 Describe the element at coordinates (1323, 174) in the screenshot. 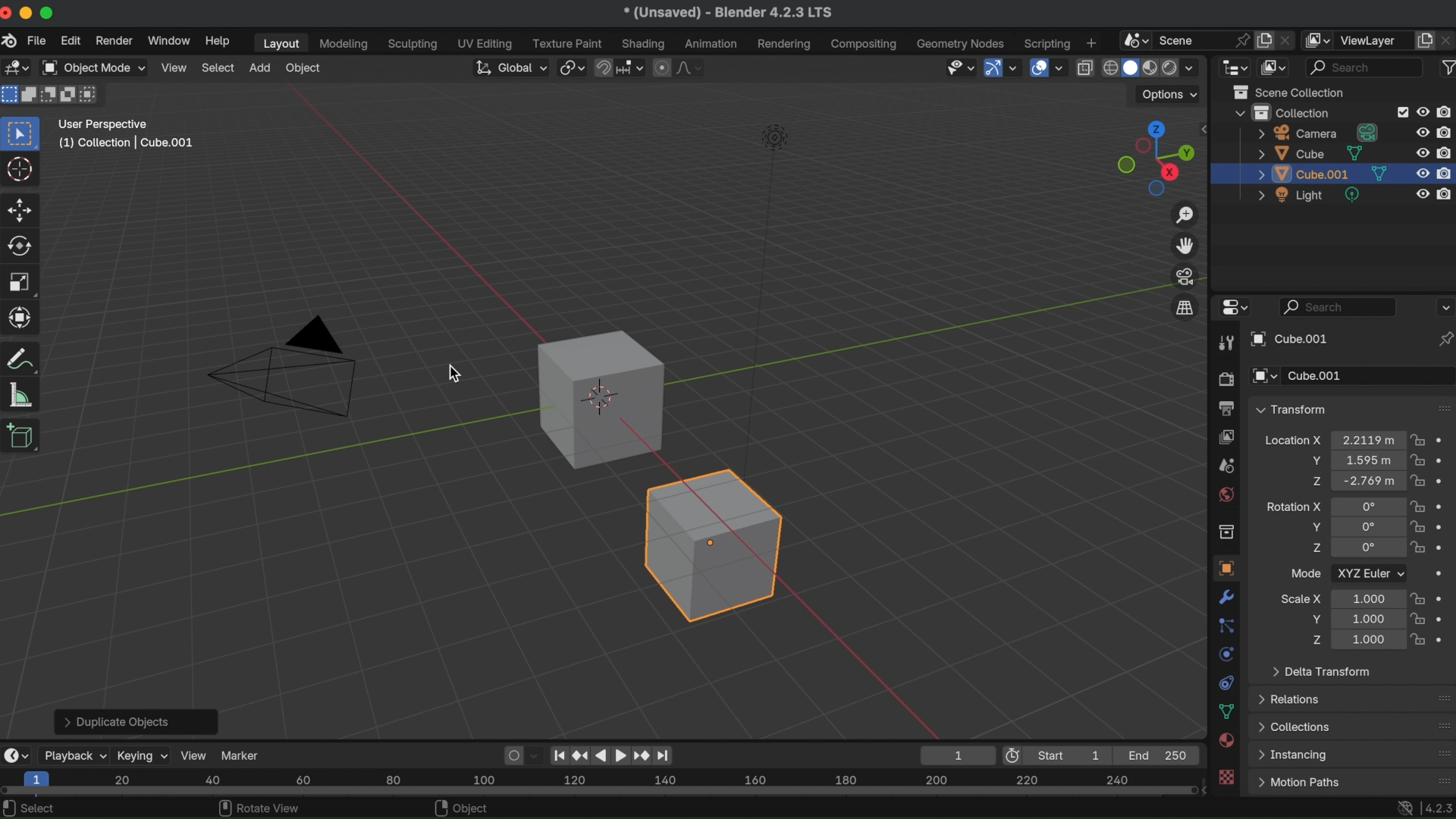

I see `duplicated cube layer` at that location.